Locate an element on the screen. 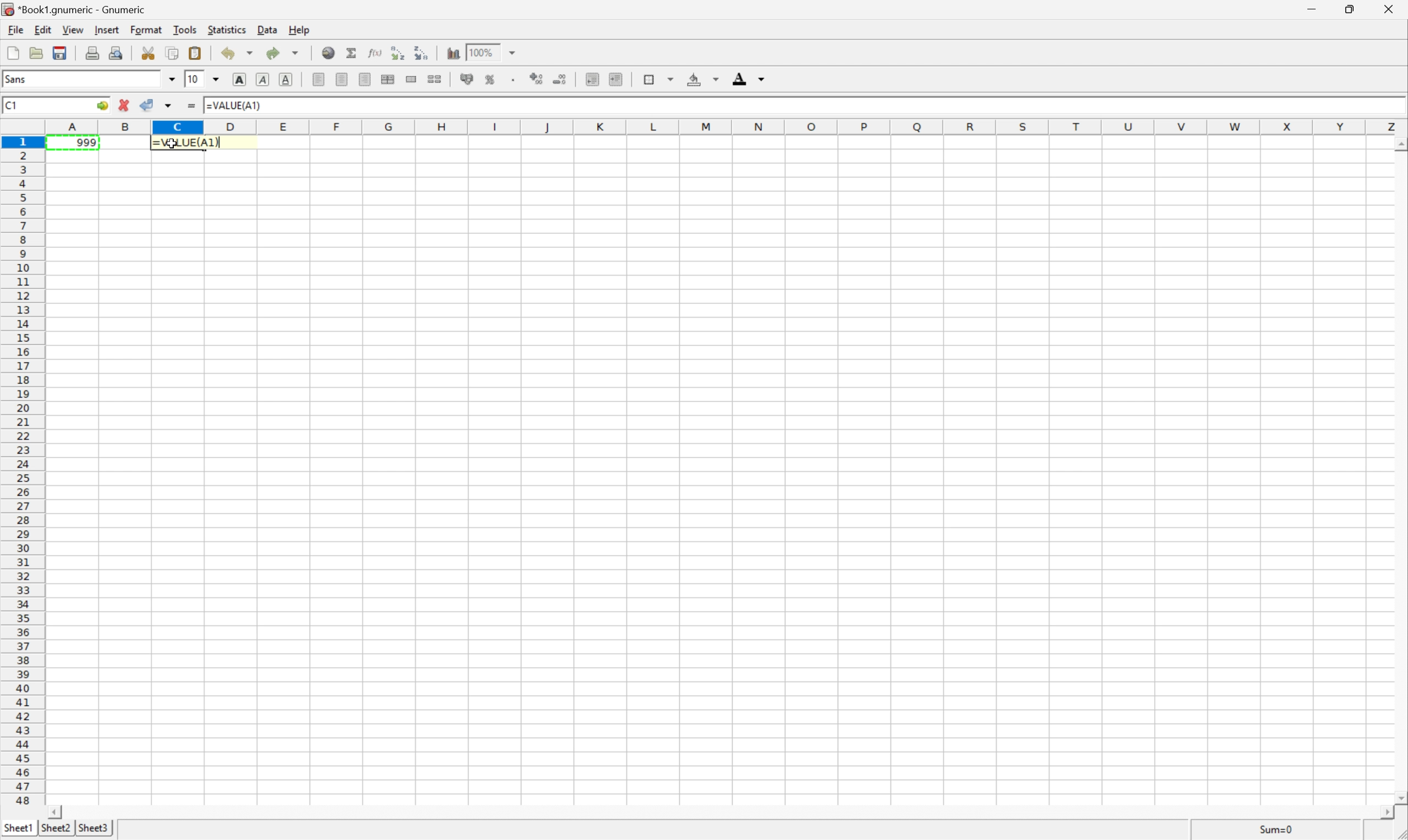 Image resolution: width=1408 pixels, height=840 pixels. restore down is located at coordinates (1349, 11).